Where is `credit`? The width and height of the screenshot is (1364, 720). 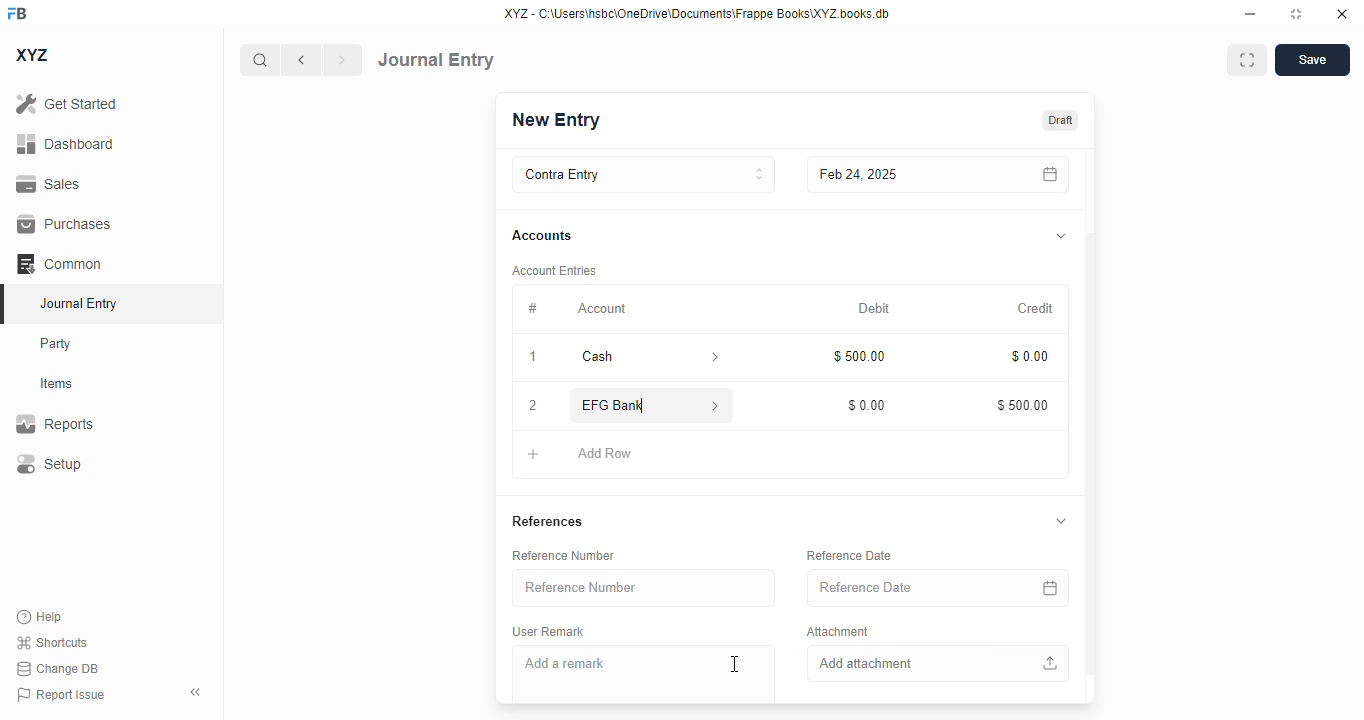
credit is located at coordinates (1035, 308).